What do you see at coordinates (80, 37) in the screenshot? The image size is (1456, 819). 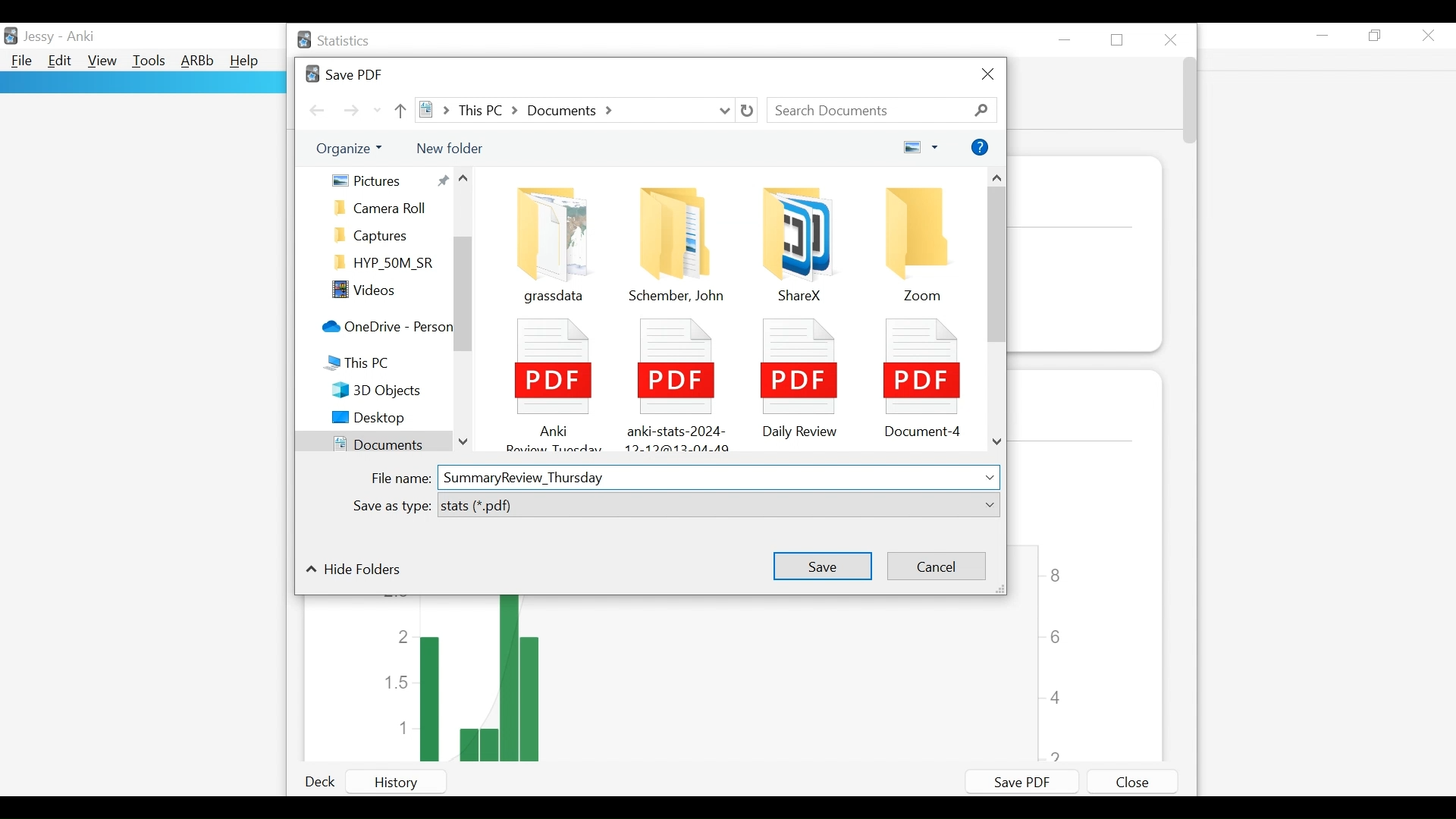 I see `Anki` at bounding box center [80, 37].